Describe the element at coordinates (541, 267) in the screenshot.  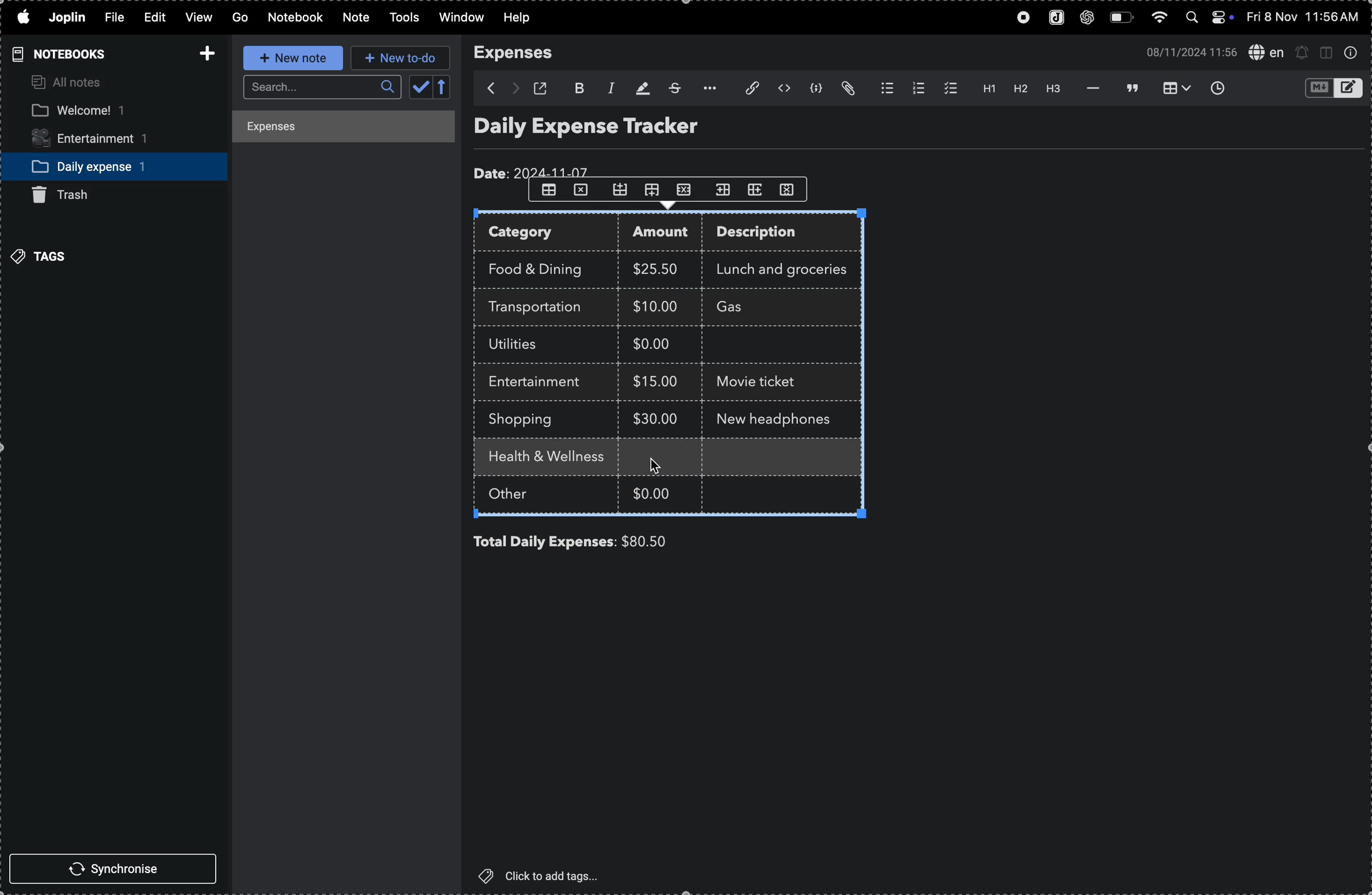
I see `food and drink` at that location.